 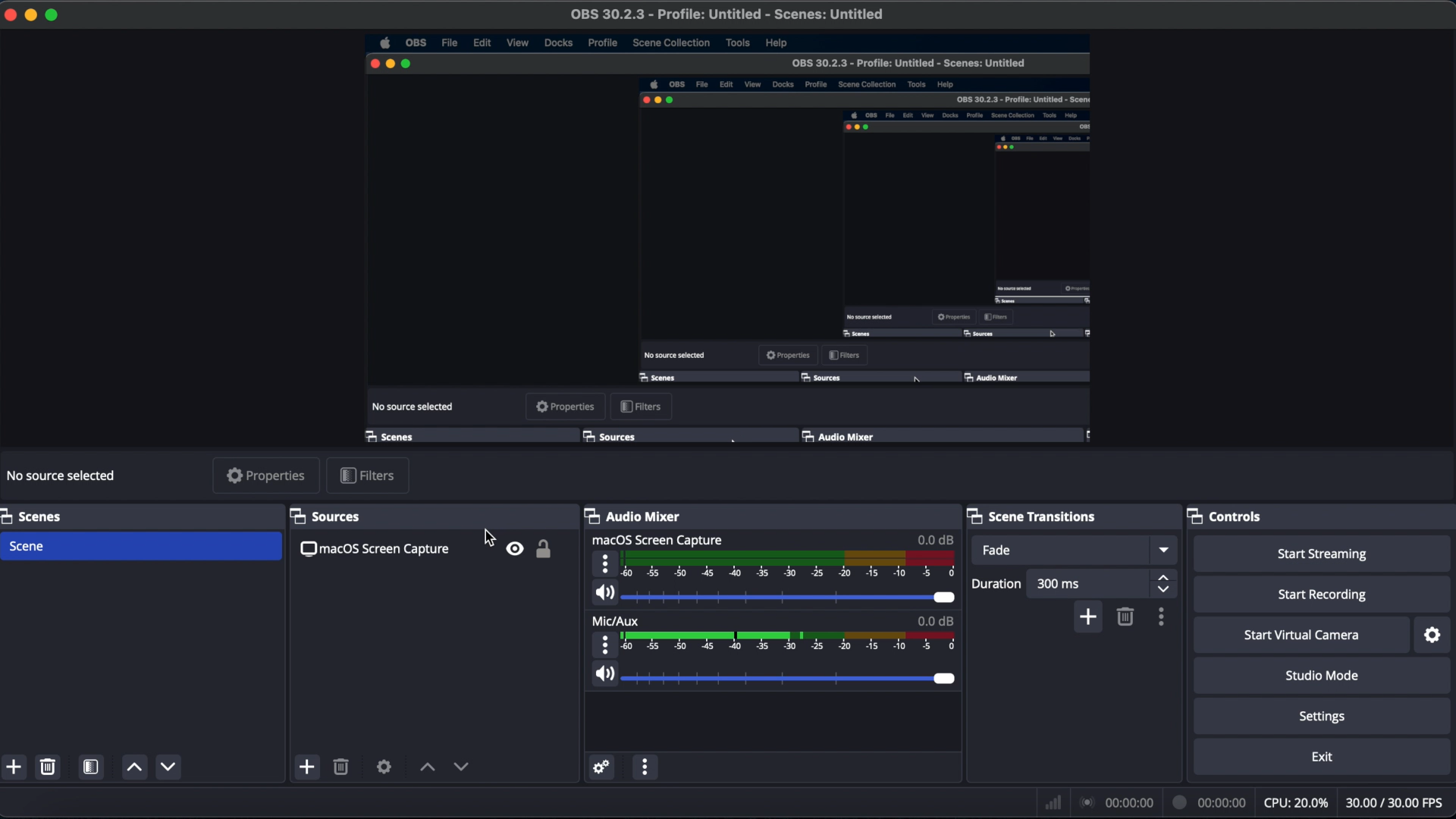 I want to click on volume slider handle, so click(x=944, y=598).